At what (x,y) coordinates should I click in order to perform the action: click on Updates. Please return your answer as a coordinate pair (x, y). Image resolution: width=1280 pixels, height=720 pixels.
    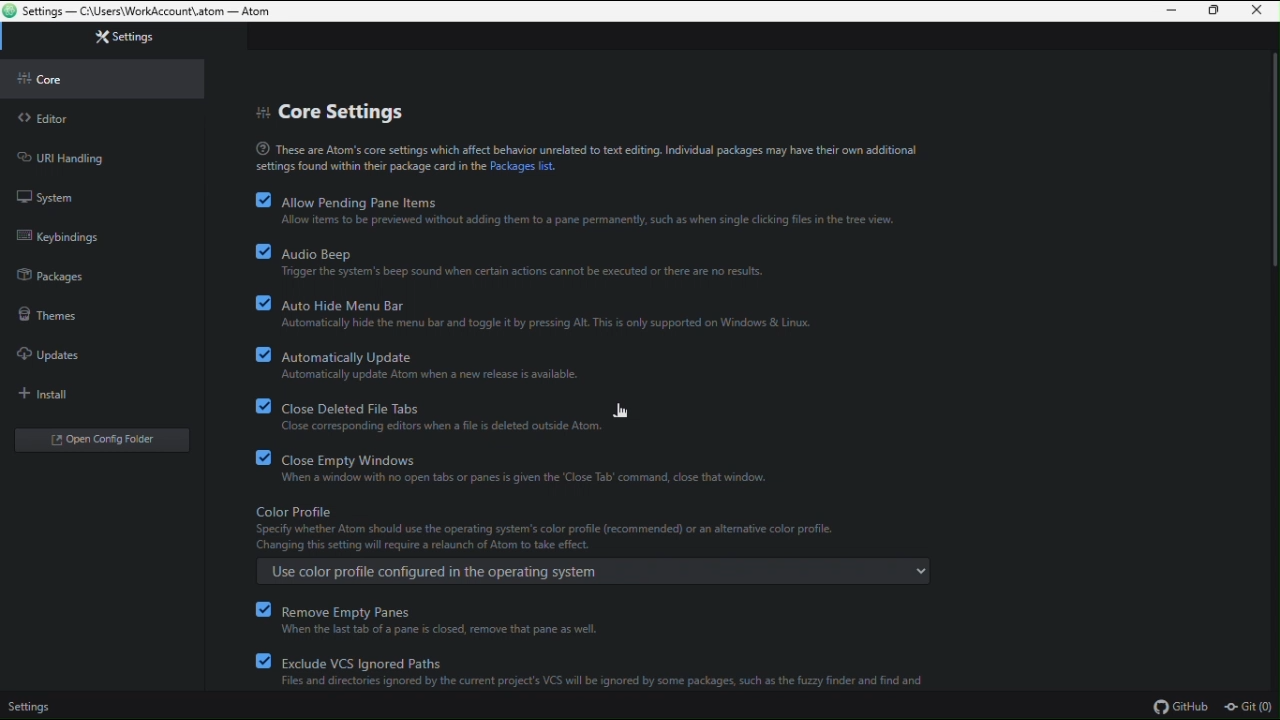
    Looking at the image, I should click on (67, 350).